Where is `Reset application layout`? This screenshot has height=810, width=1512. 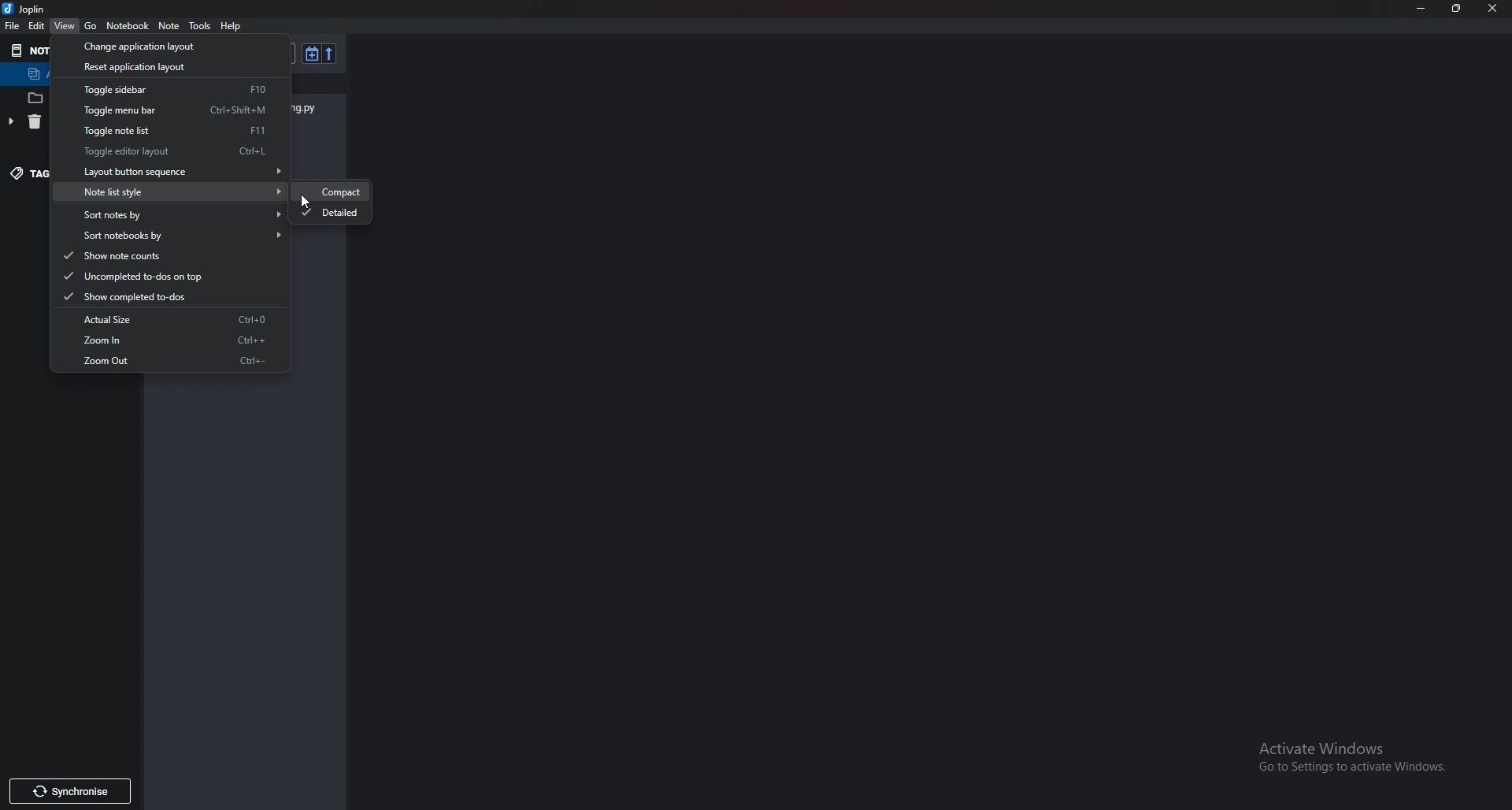
Reset application layout is located at coordinates (162, 66).